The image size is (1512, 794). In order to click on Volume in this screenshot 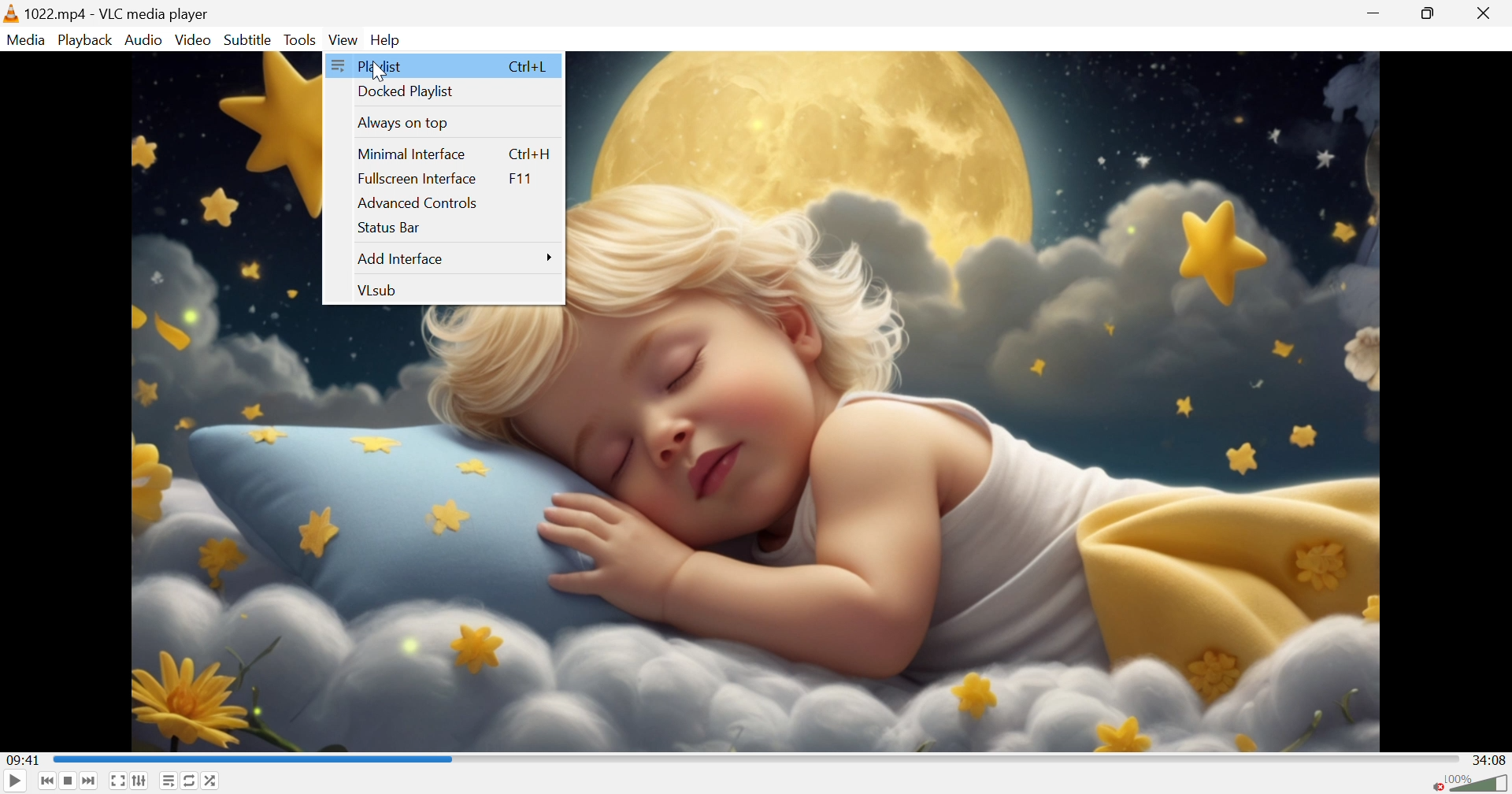, I will do `click(1480, 784)`.